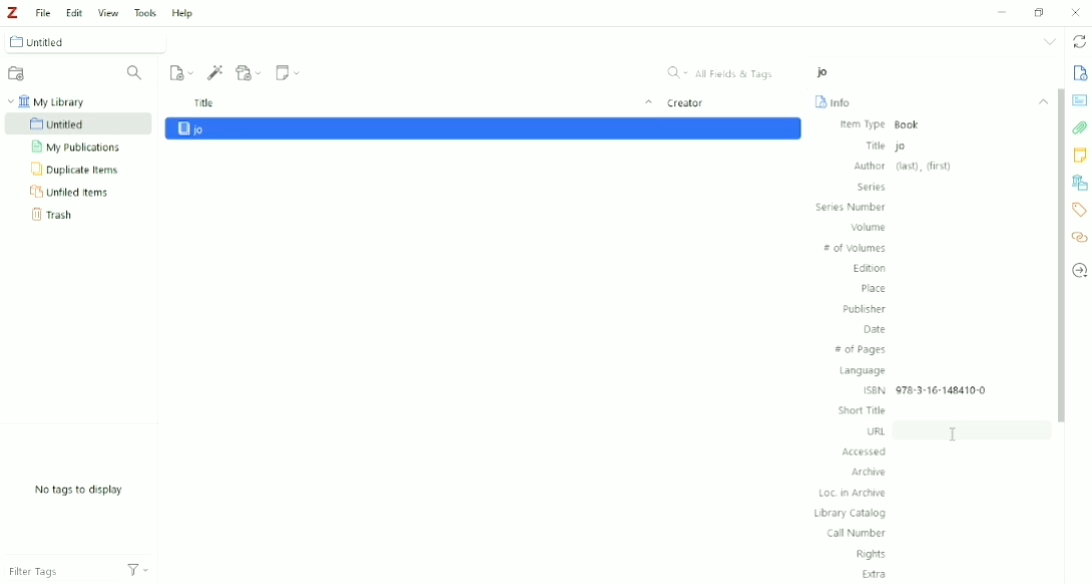 The height and width of the screenshot is (584, 1092). I want to click on Title jo, so click(887, 146).